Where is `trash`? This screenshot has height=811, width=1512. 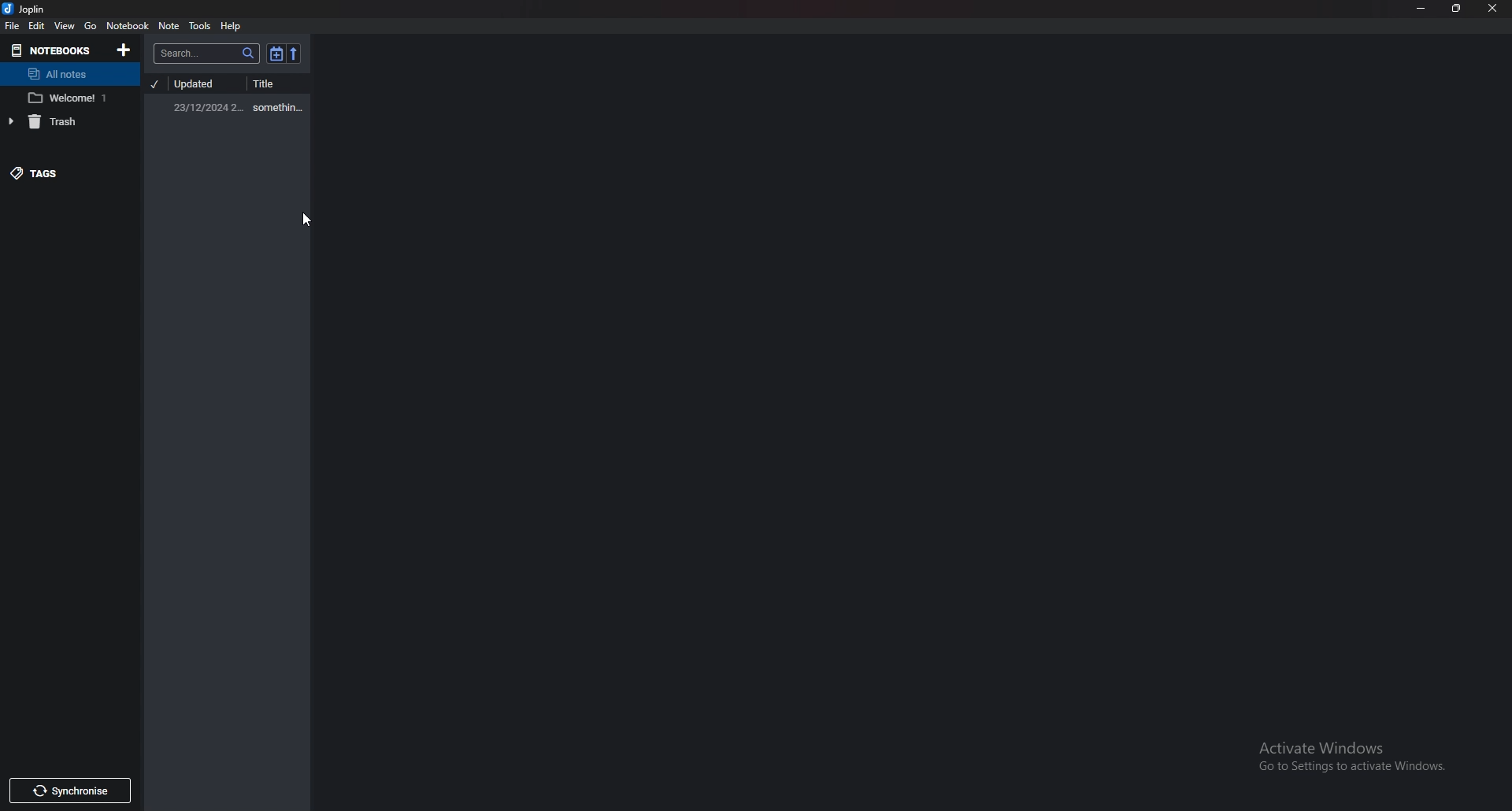
trash is located at coordinates (55, 121).